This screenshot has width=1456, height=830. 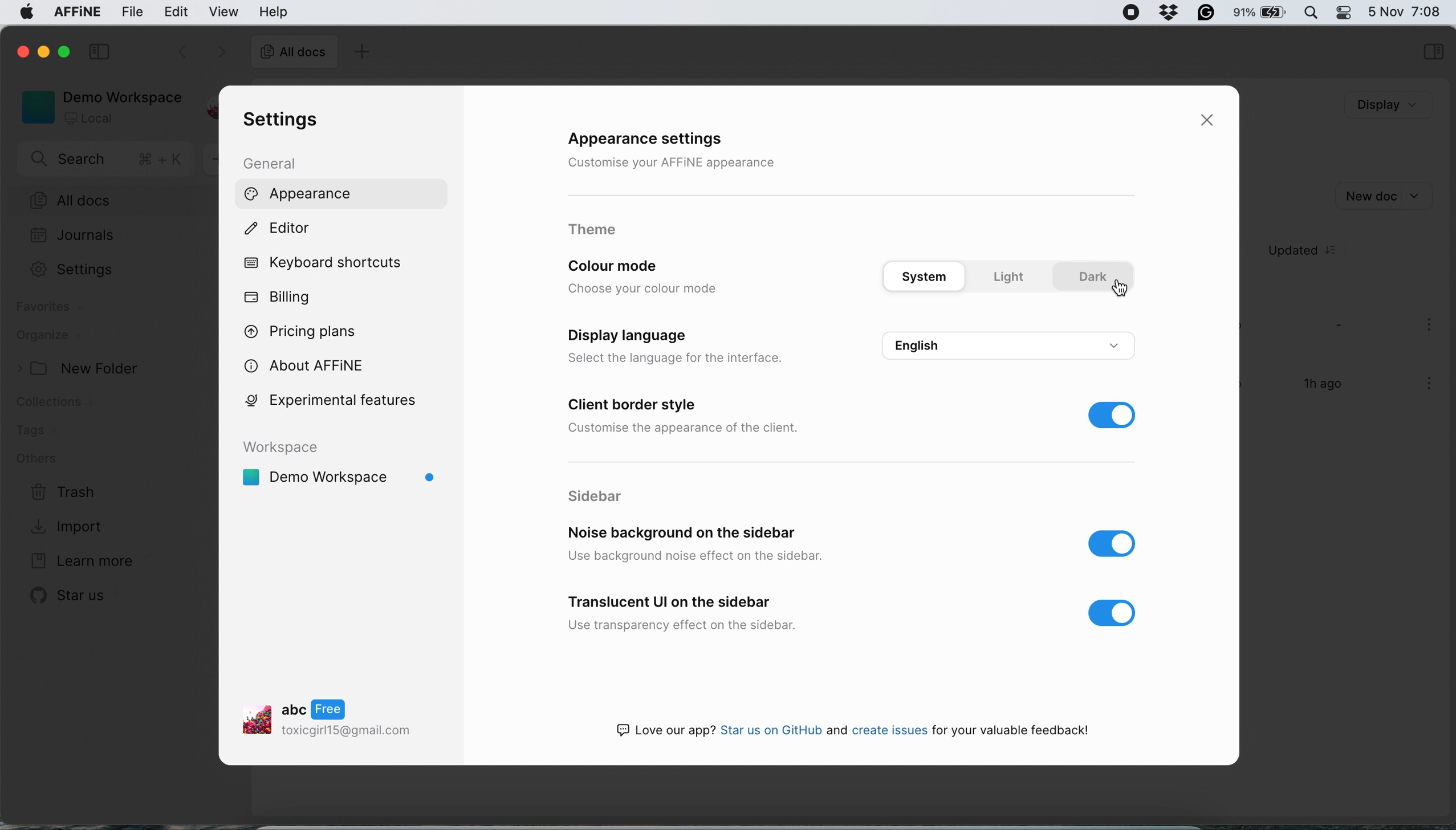 What do you see at coordinates (99, 50) in the screenshot?
I see `collapse sidebar` at bounding box center [99, 50].